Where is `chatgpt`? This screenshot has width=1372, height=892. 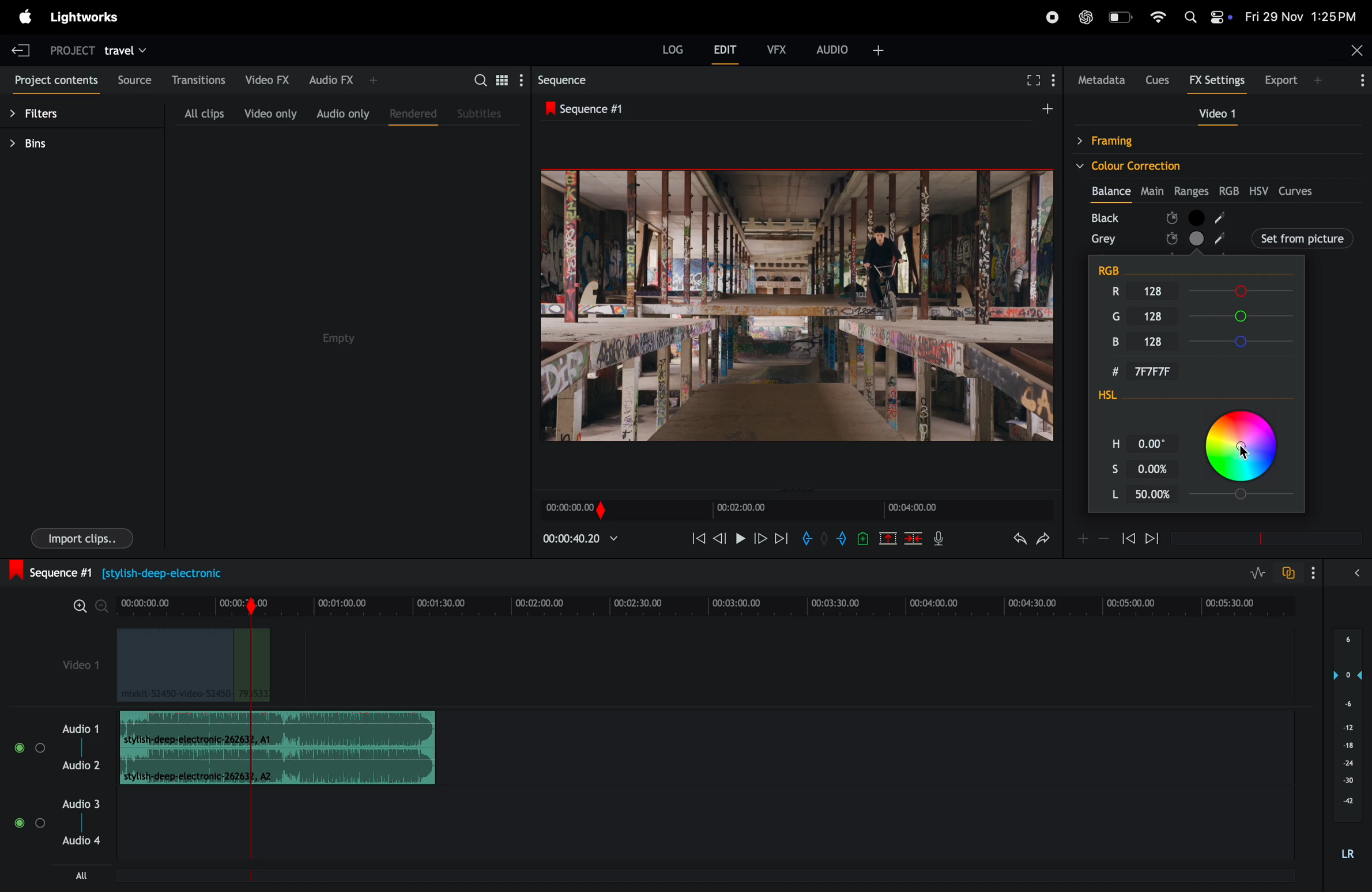
chatgpt is located at coordinates (1085, 17).